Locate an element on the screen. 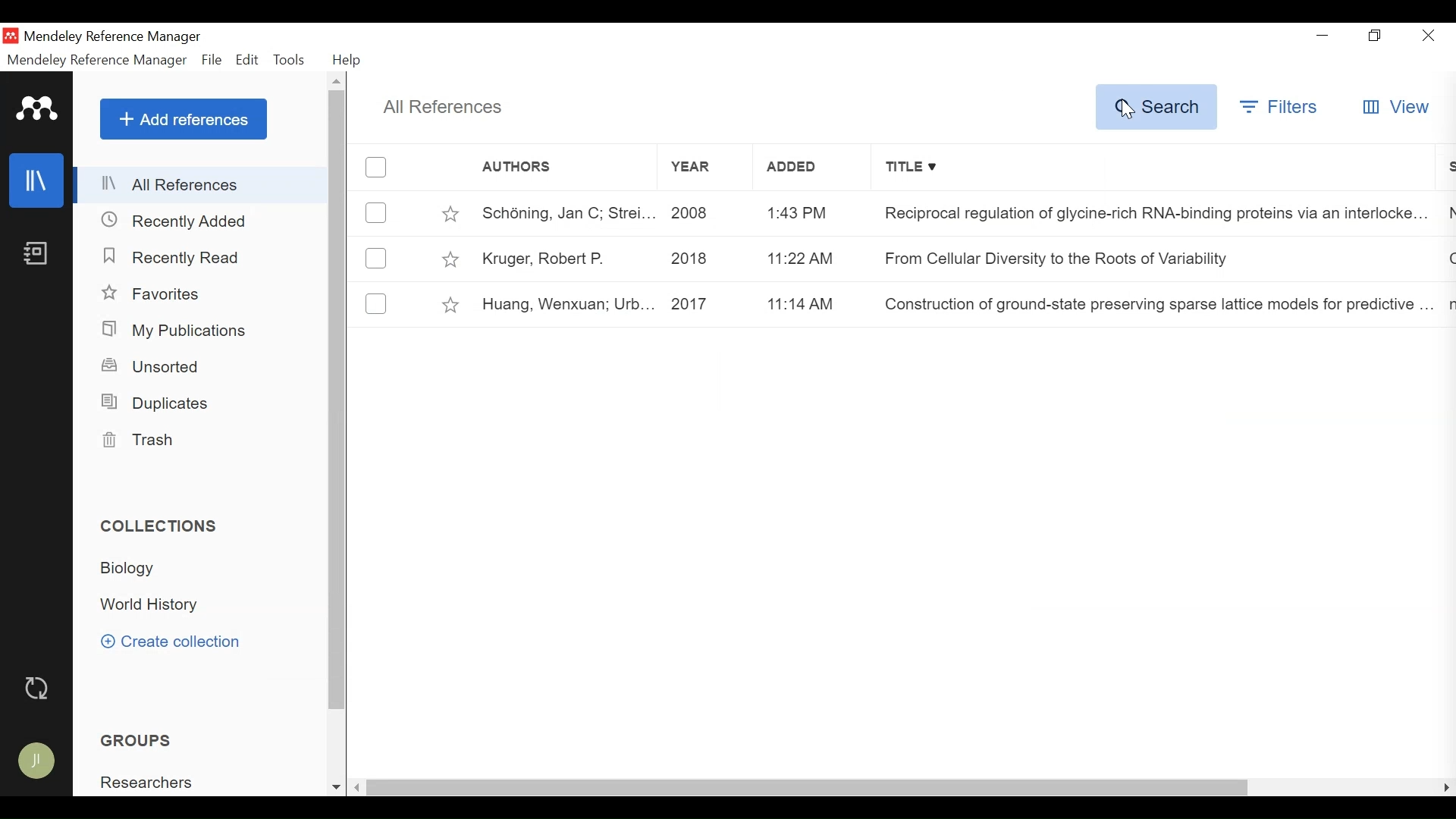  Edit is located at coordinates (248, 61).